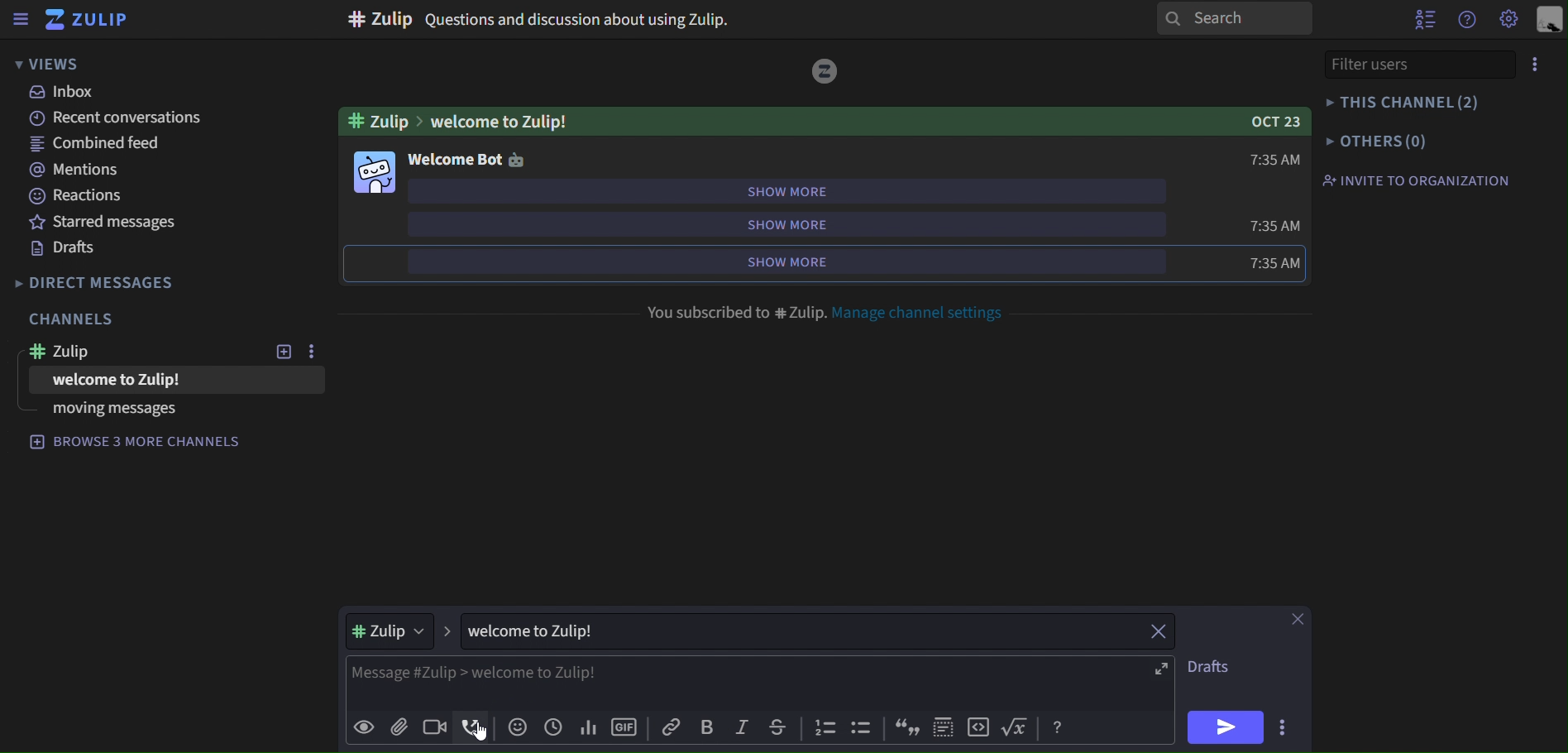 This screenshot has width=1568, height=753. What do you see at coordinates (1206, 667) in the screenshot?
I see `drafts` at bounding box center [1206, 667].